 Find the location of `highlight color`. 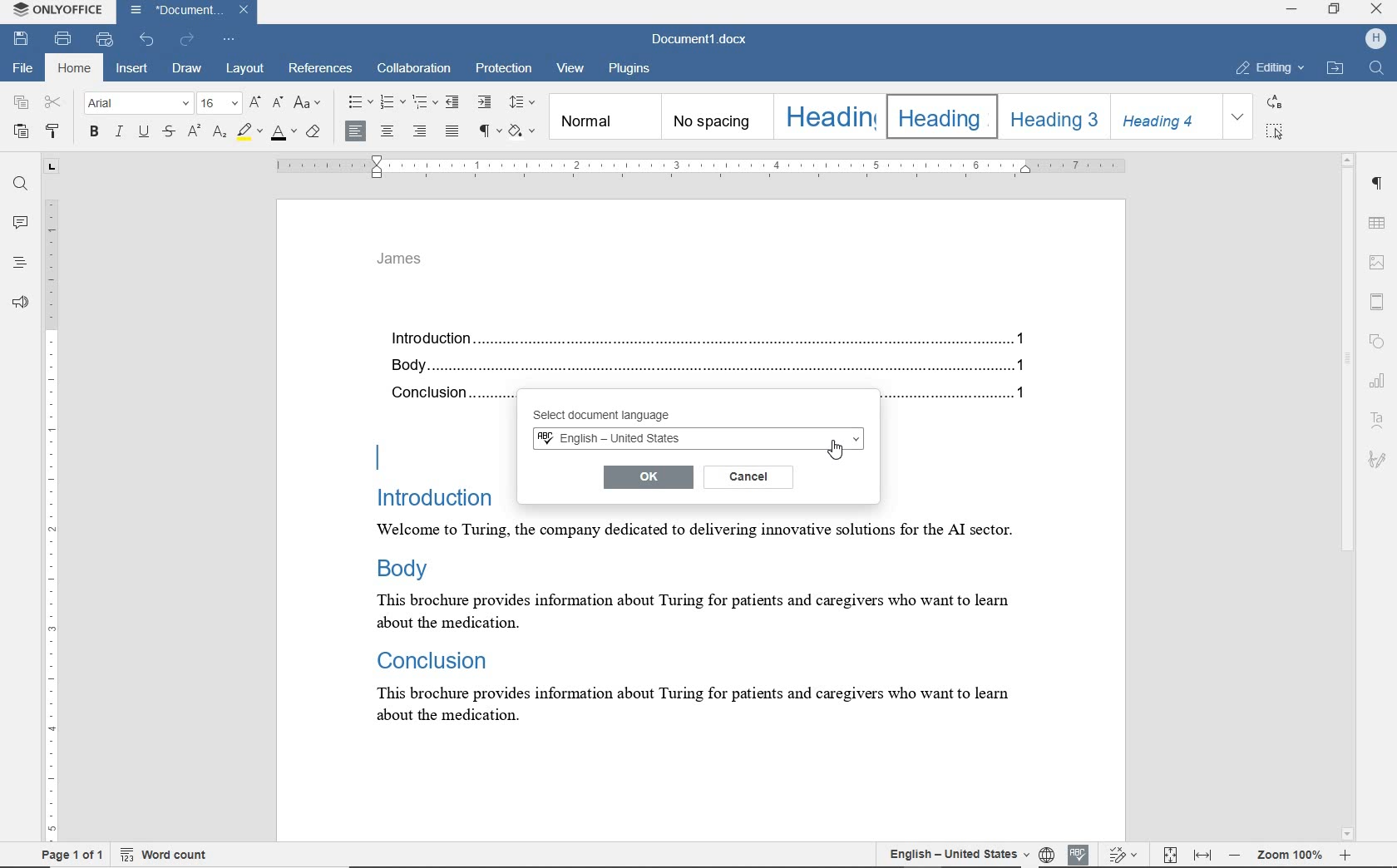

highlight color is located at coordinates (249, 132).